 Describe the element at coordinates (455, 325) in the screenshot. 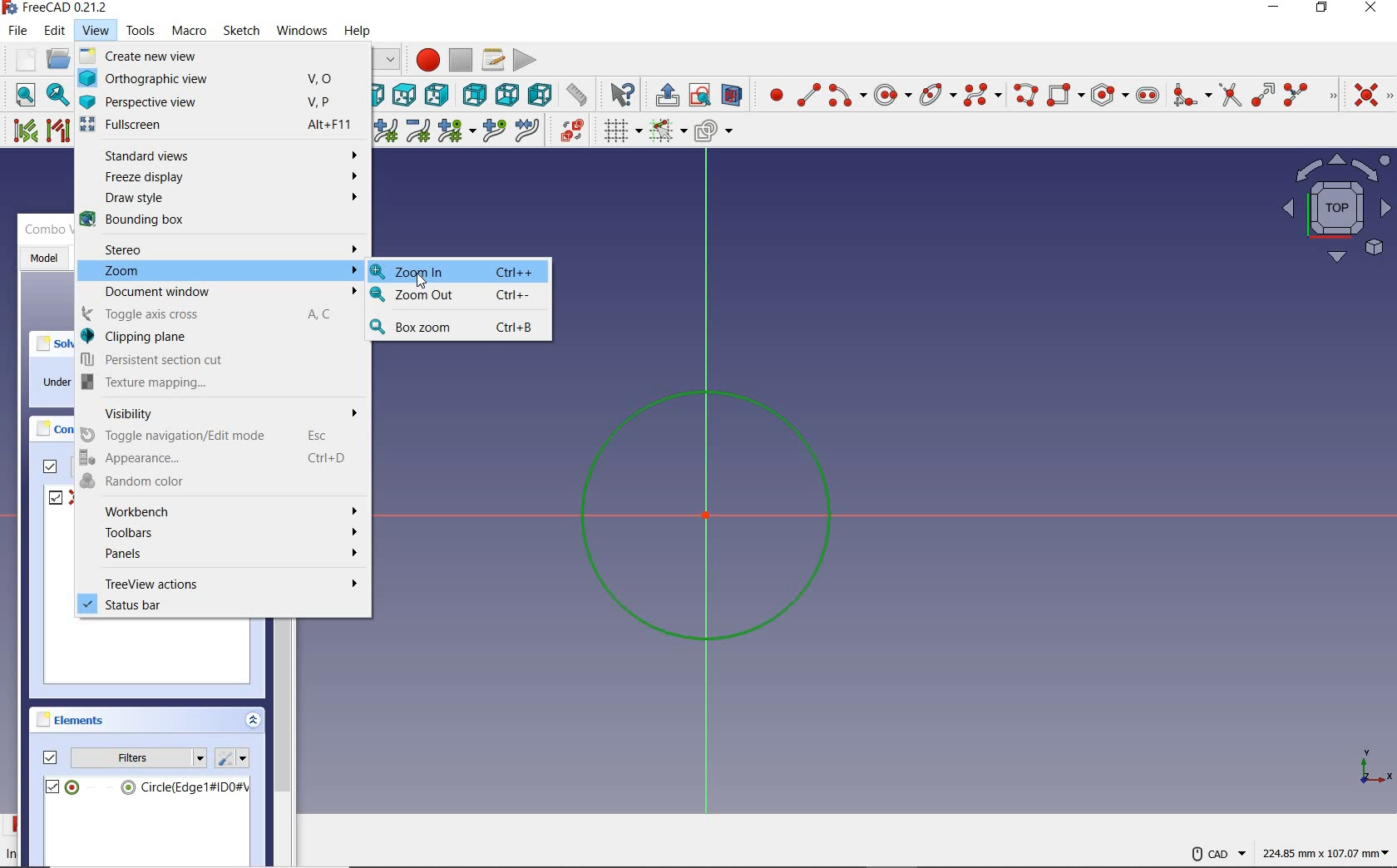

I see `Box zoom` at that location.